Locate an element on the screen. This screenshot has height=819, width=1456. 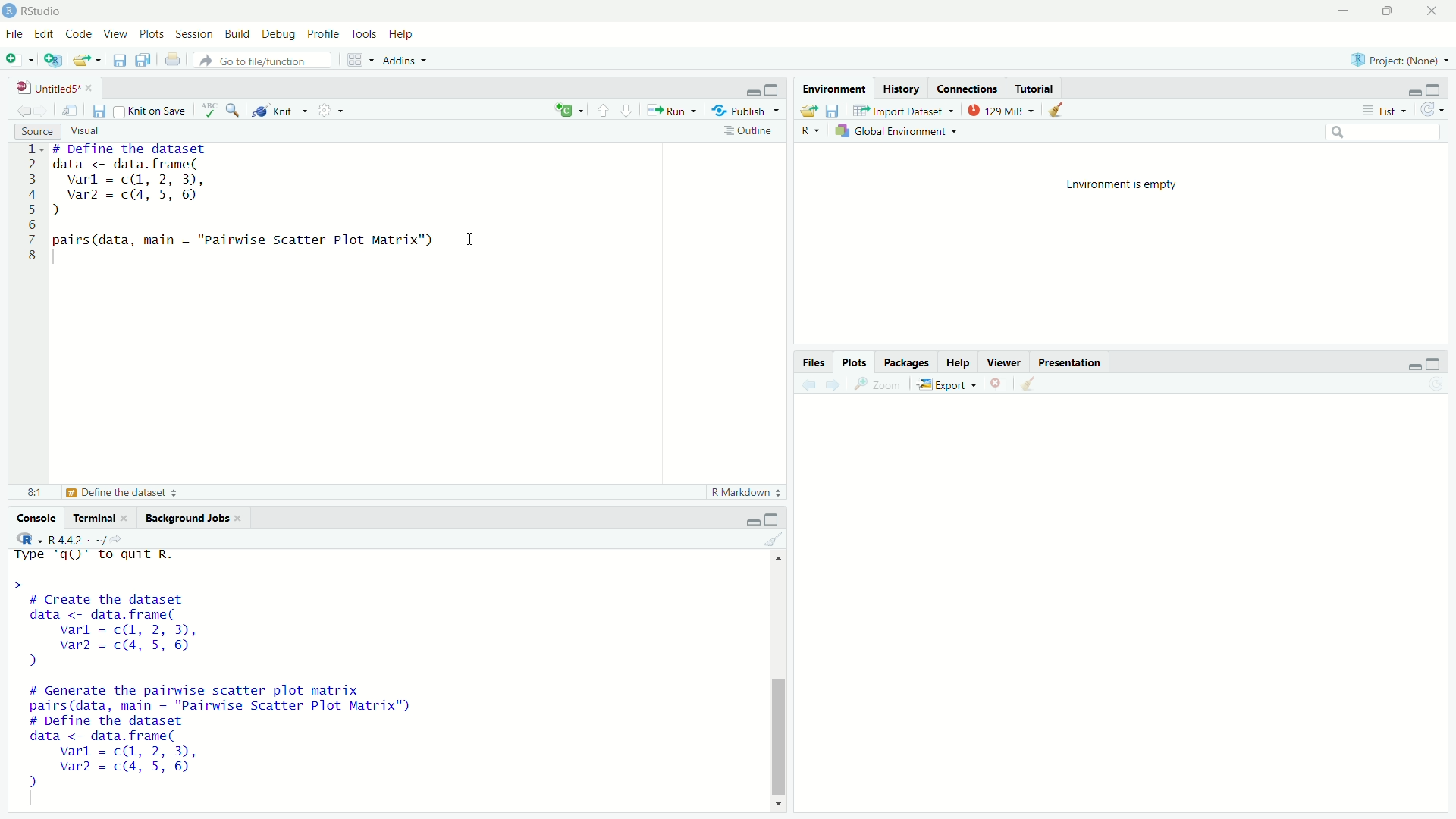
Presentation is located at coordinates (1071, 362).